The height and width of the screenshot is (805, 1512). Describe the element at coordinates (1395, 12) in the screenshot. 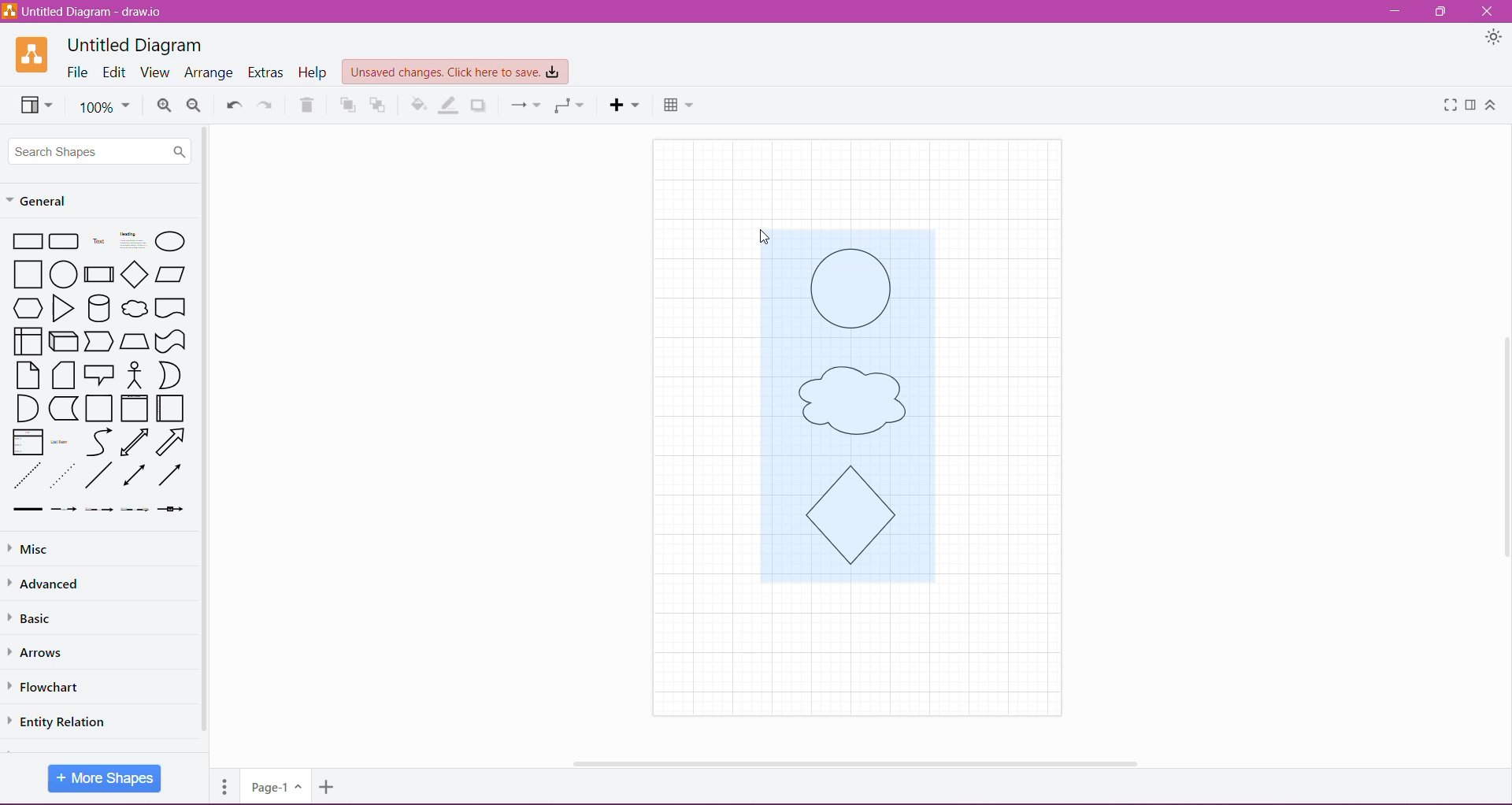

I see `Minimize` at that location.